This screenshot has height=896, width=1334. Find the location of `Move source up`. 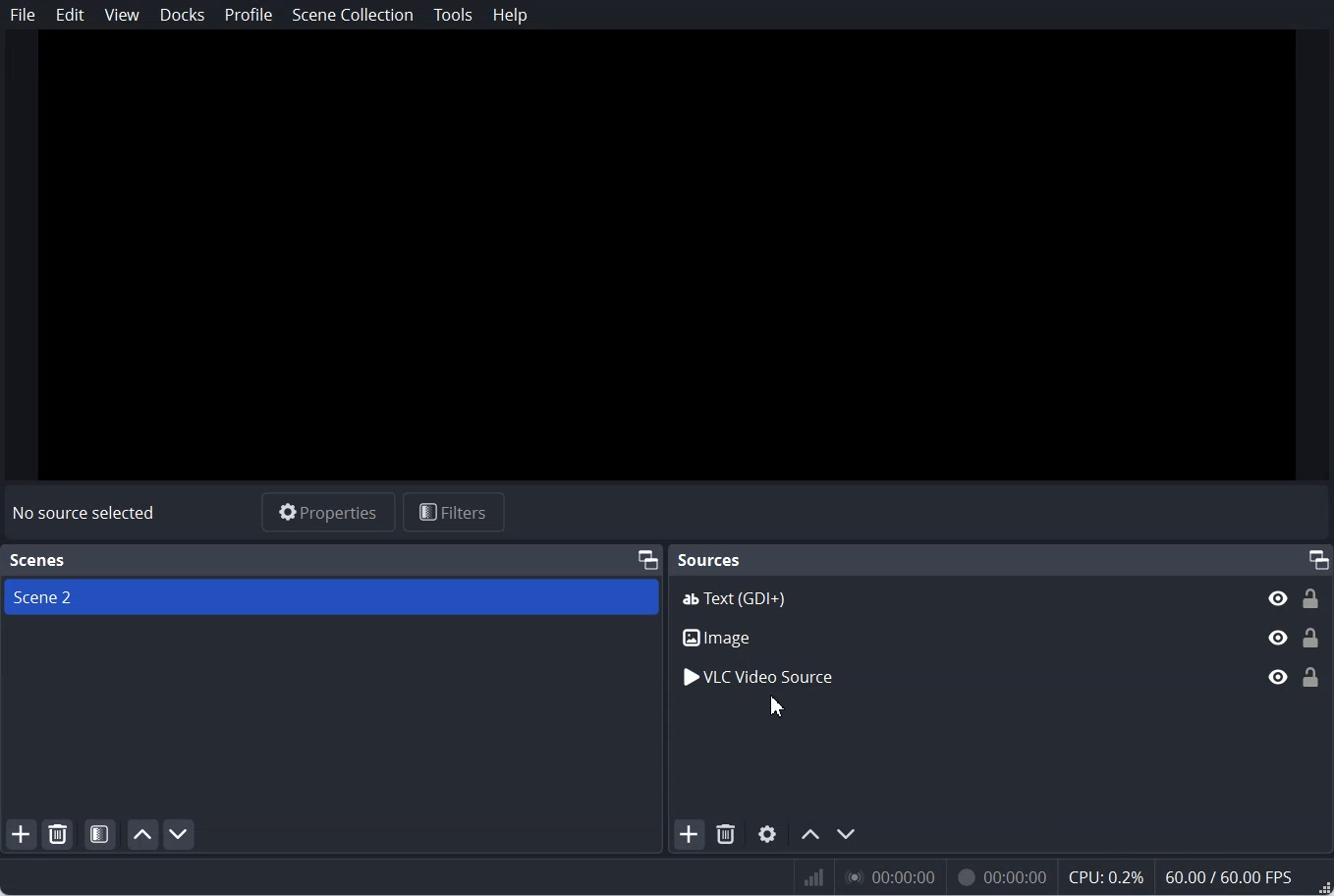

Move source up is located at coordinates (810, 832).